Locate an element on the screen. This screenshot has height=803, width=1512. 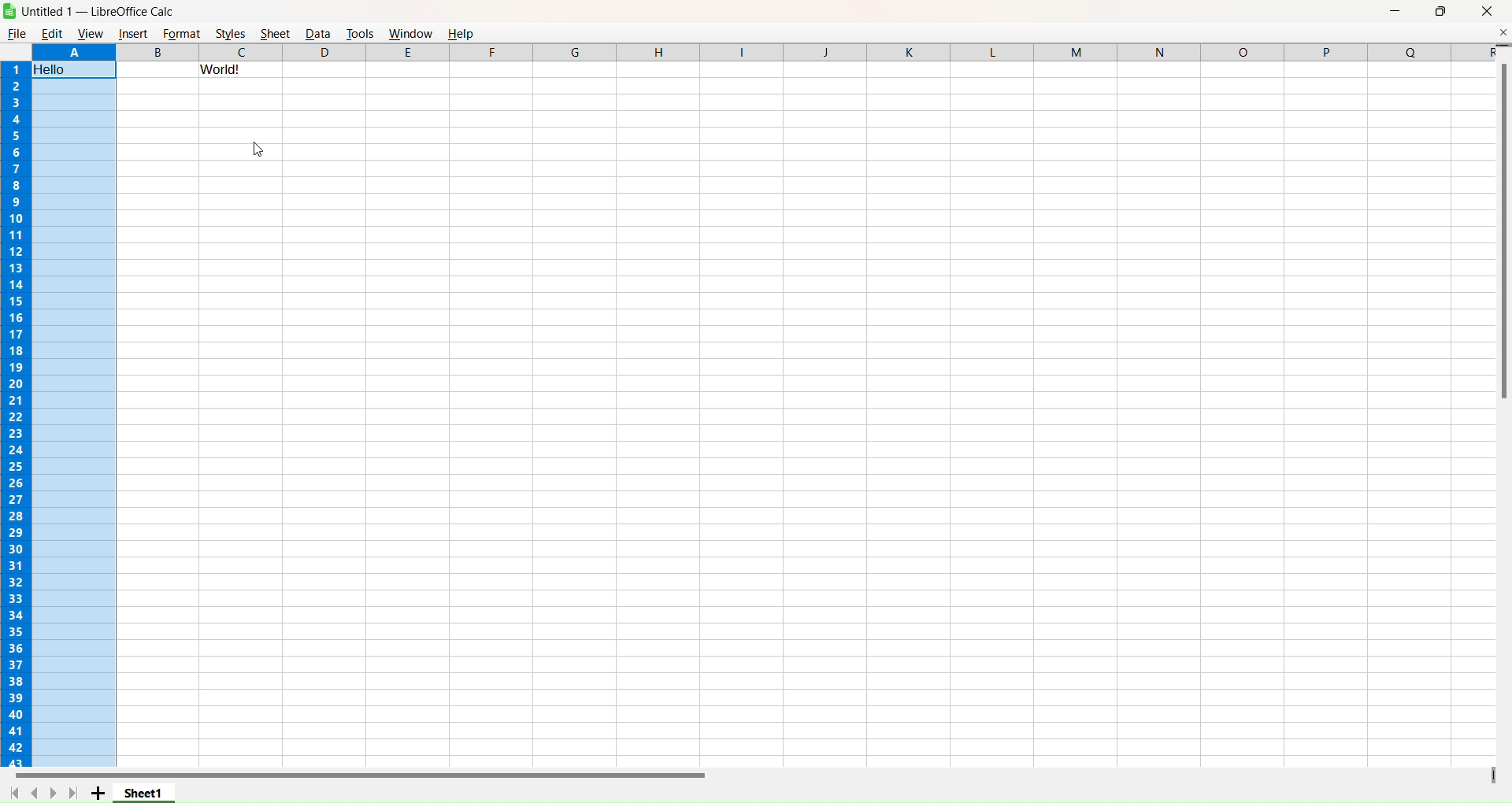
Insert is located at coordinates (133, 35).